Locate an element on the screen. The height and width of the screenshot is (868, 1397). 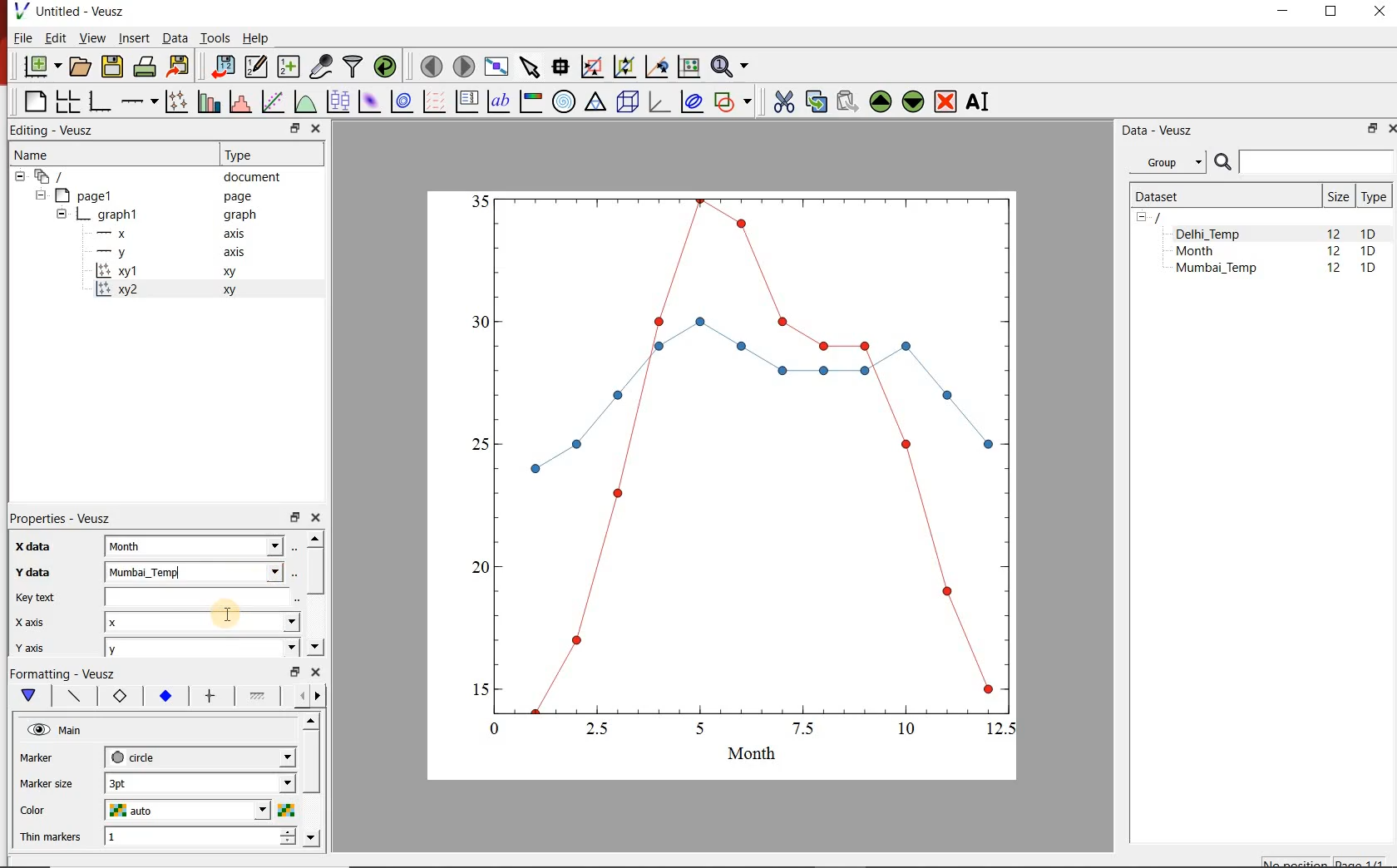
Edit is located at coordinates (54, 37).